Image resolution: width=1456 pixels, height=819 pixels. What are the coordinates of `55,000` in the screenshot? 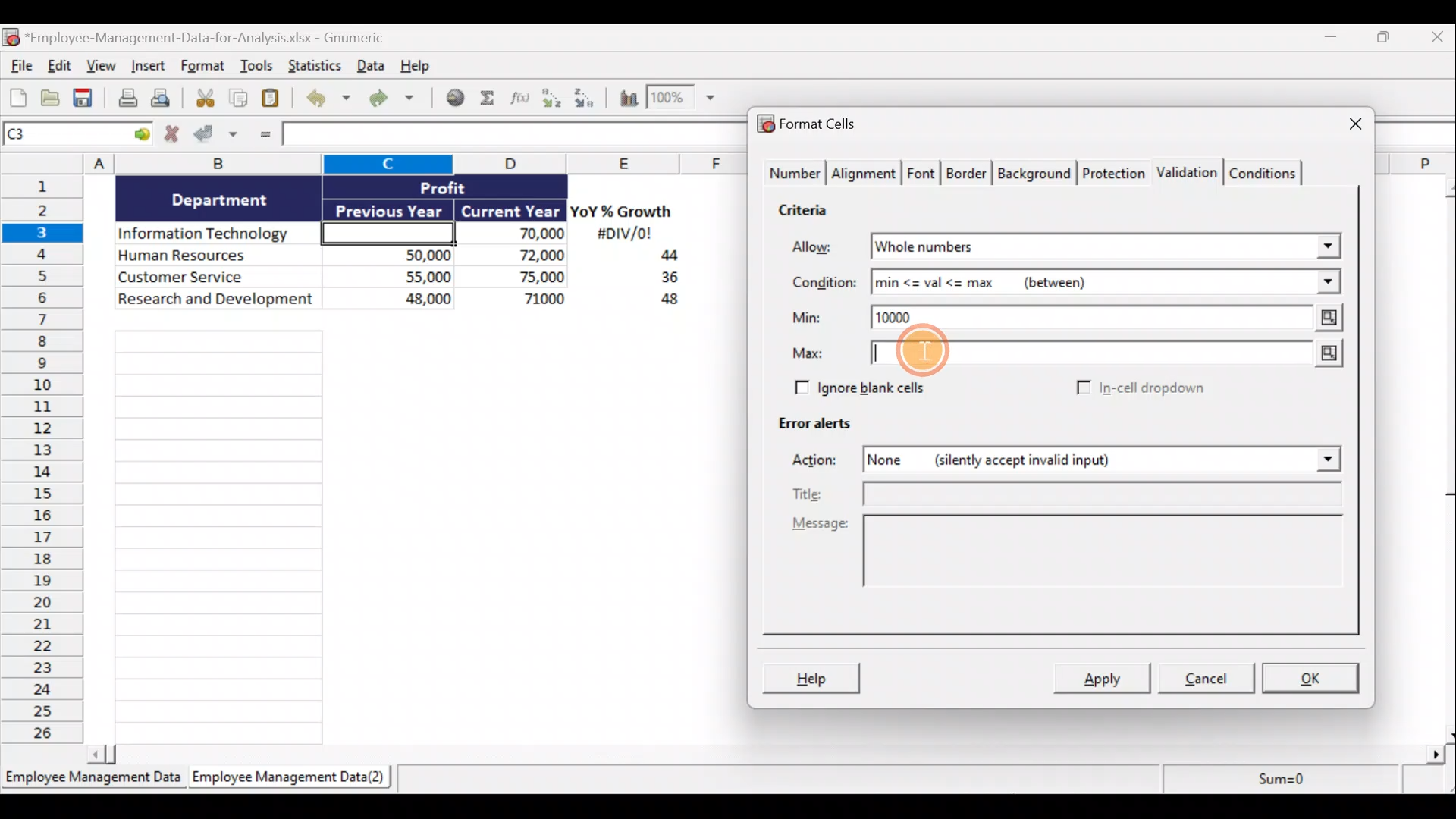 It's located at (397, 276).